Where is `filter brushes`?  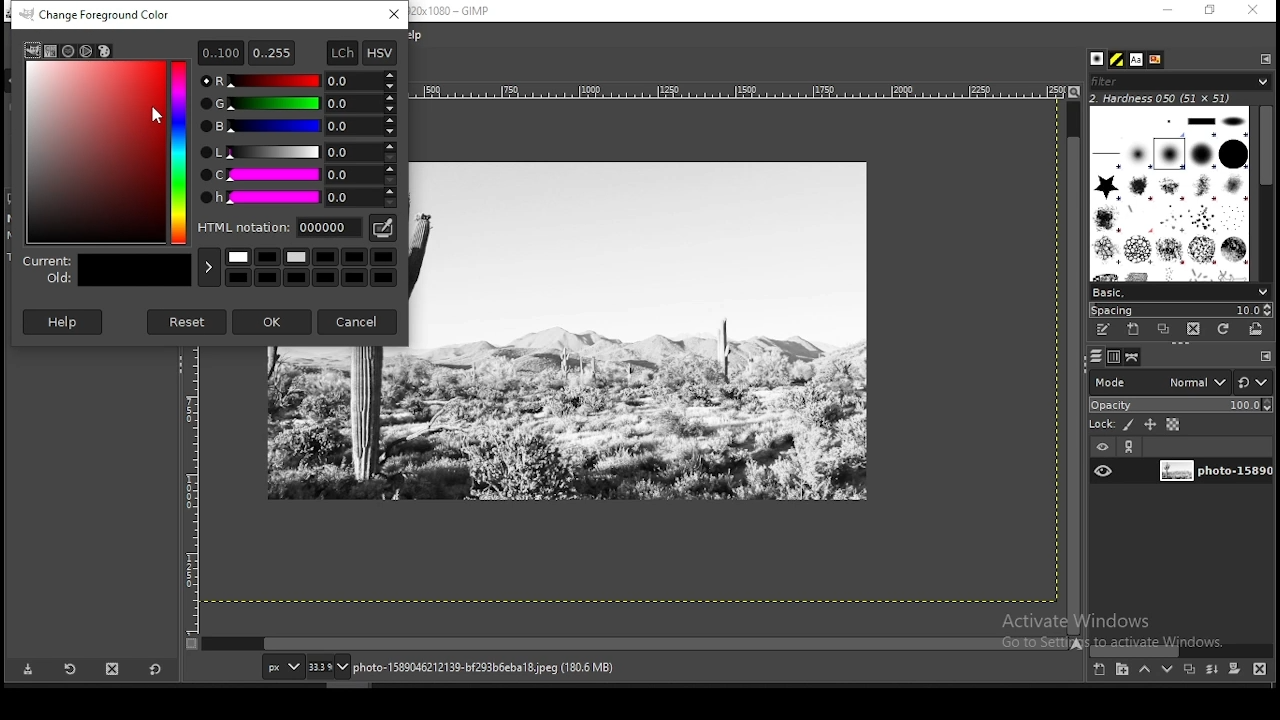
filter brushes is located at coordinates (1180, 81).